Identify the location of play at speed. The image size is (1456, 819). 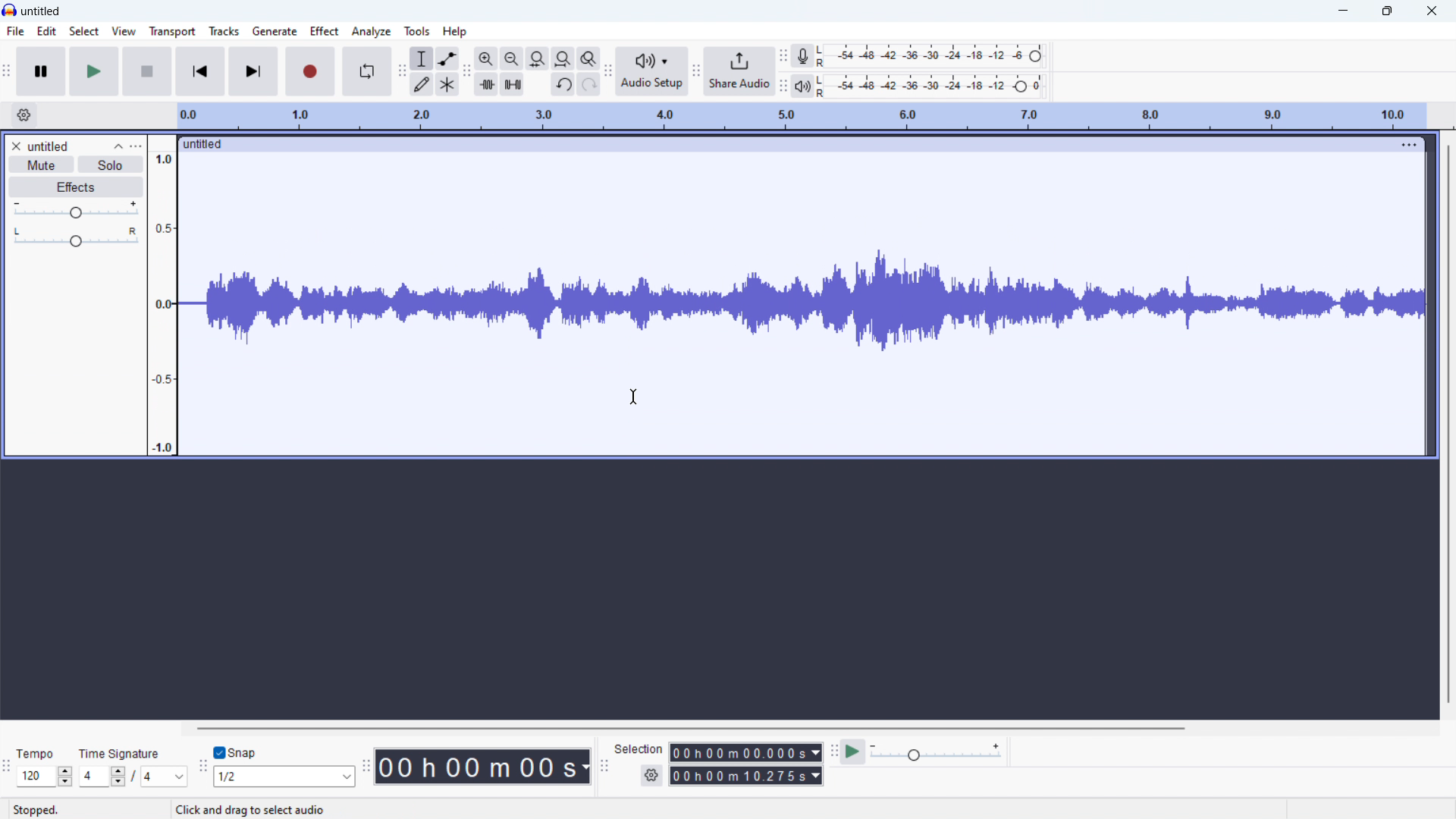
(854, 751).